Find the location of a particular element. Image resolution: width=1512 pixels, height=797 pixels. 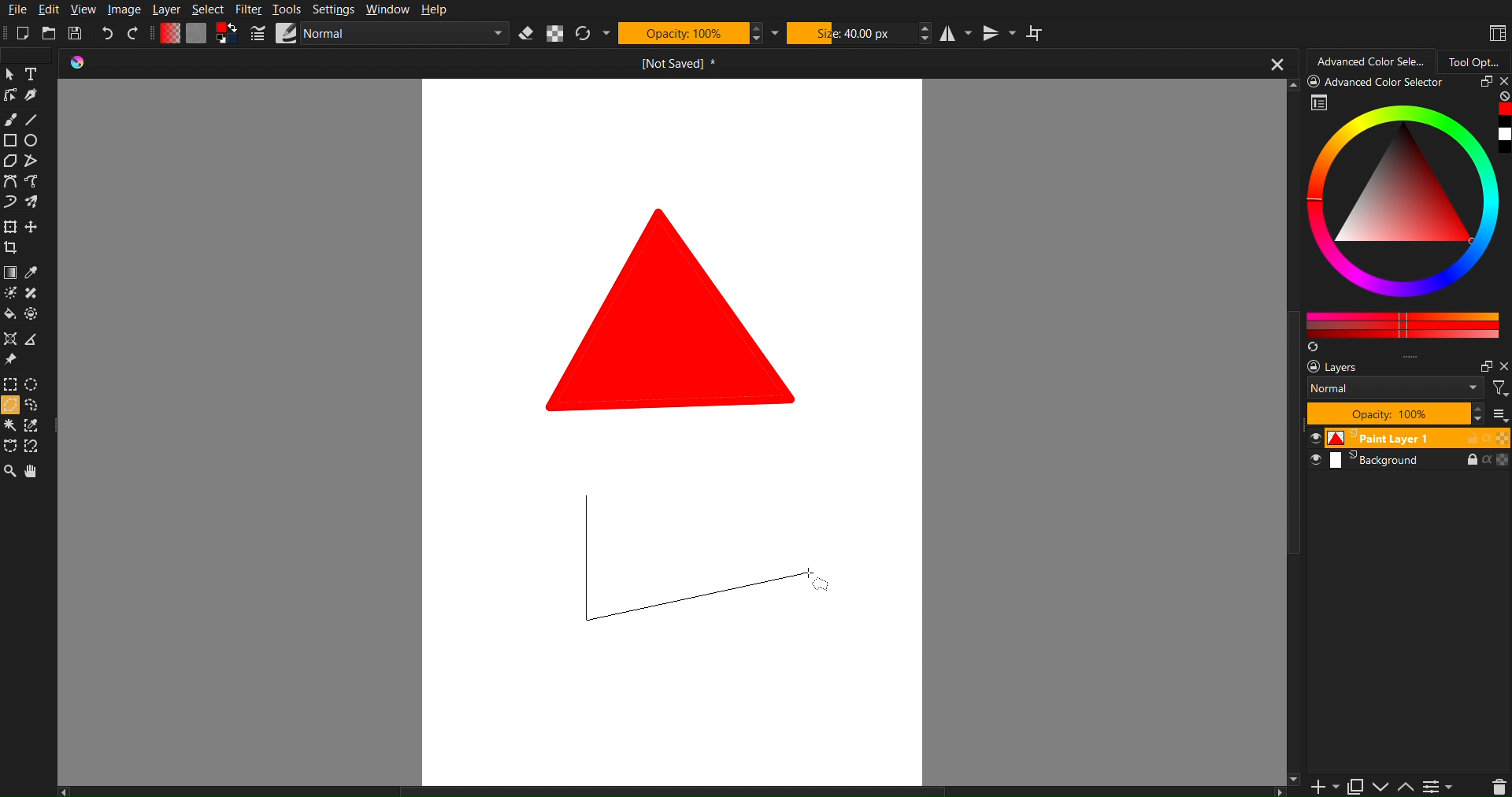

Select is located at coordinates (208, 9).